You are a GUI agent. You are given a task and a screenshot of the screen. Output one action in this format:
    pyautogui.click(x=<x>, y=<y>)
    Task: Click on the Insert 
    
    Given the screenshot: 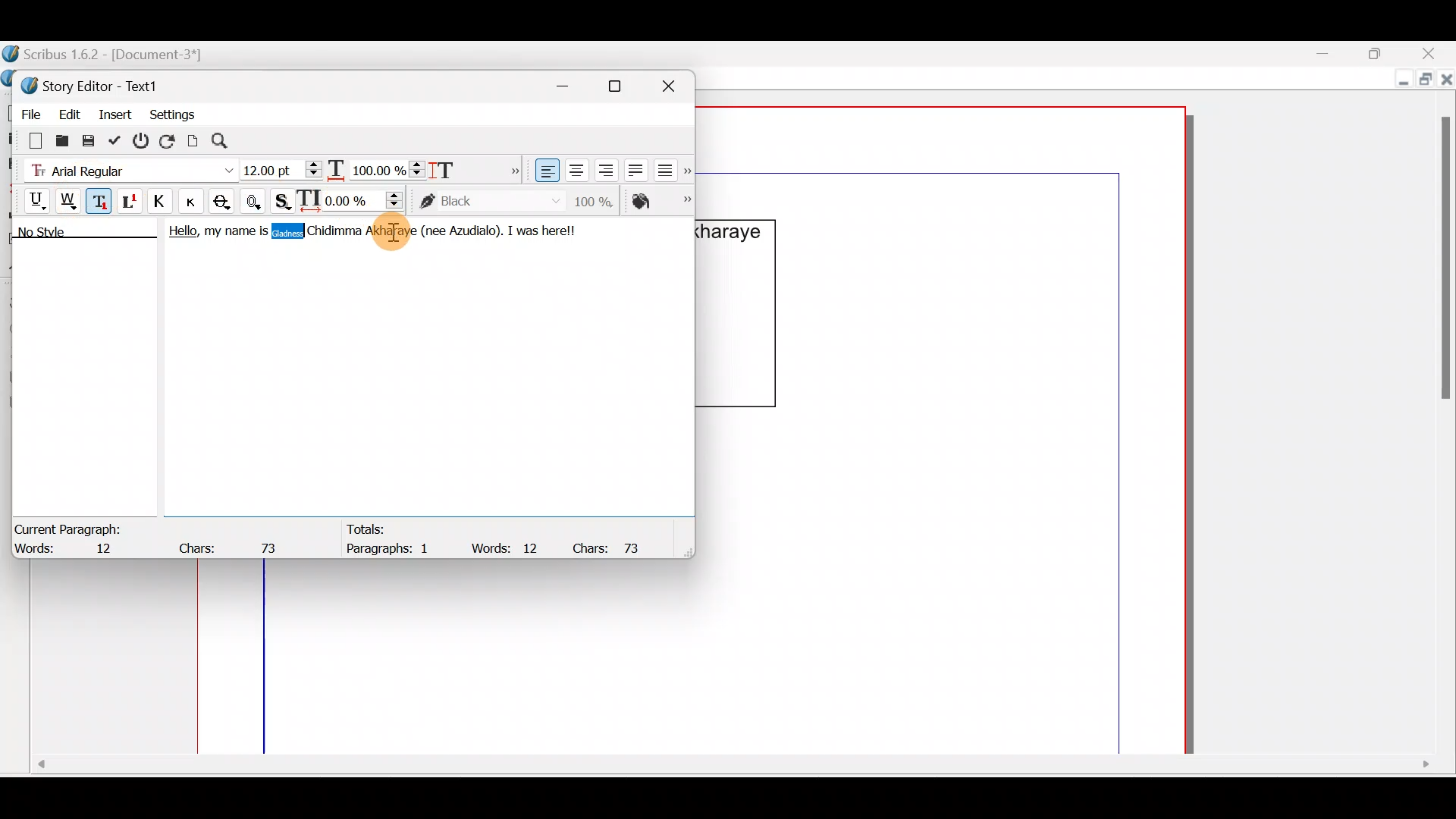 What is the action you would take?
    pyautogui.click(x=116, y=113)
    